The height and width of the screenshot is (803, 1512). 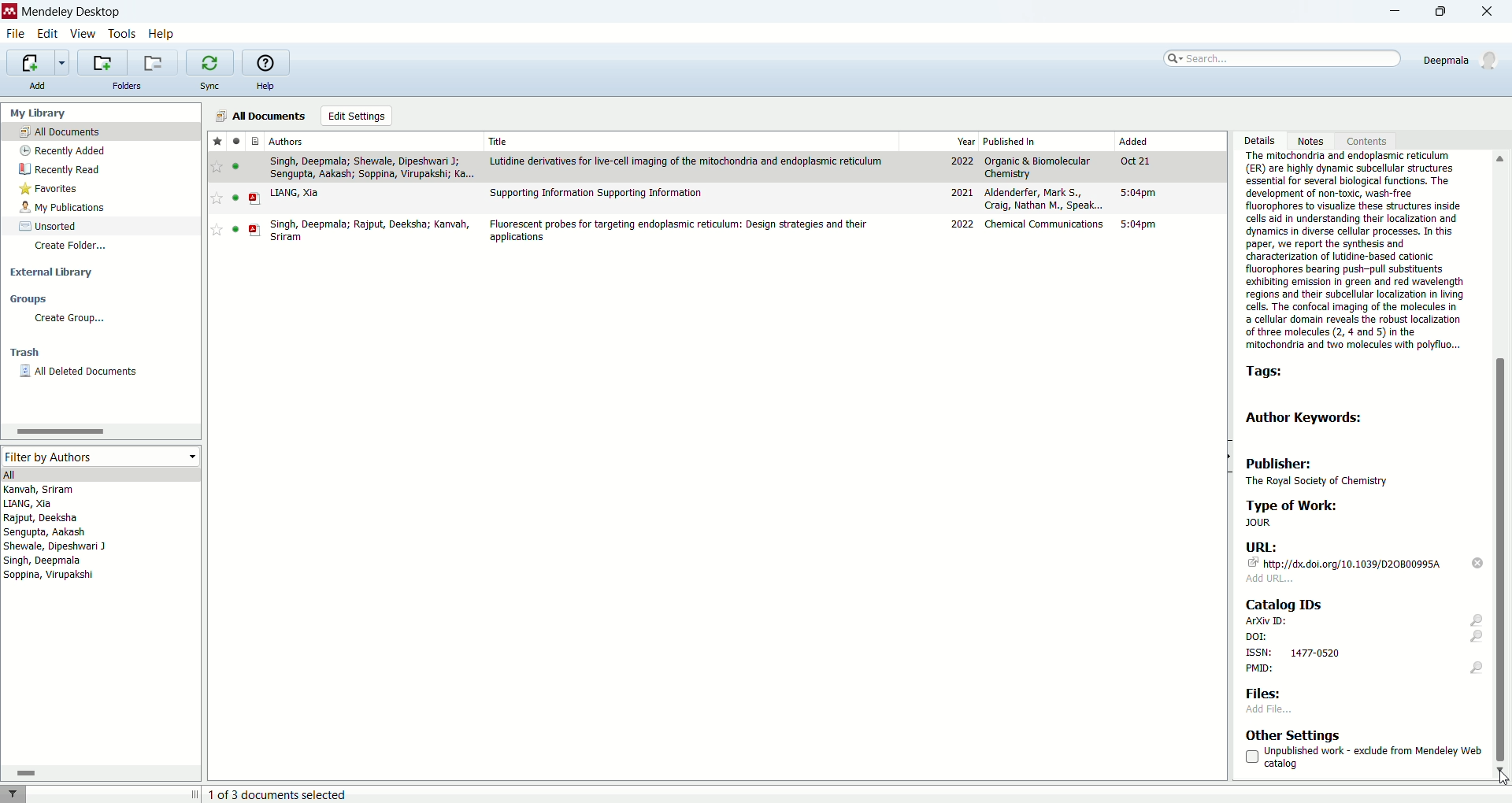 What do you see at coordinates (264, 61) in the screenshot?
I see `online help guide for mendeley` at bounding box center [264, 61].